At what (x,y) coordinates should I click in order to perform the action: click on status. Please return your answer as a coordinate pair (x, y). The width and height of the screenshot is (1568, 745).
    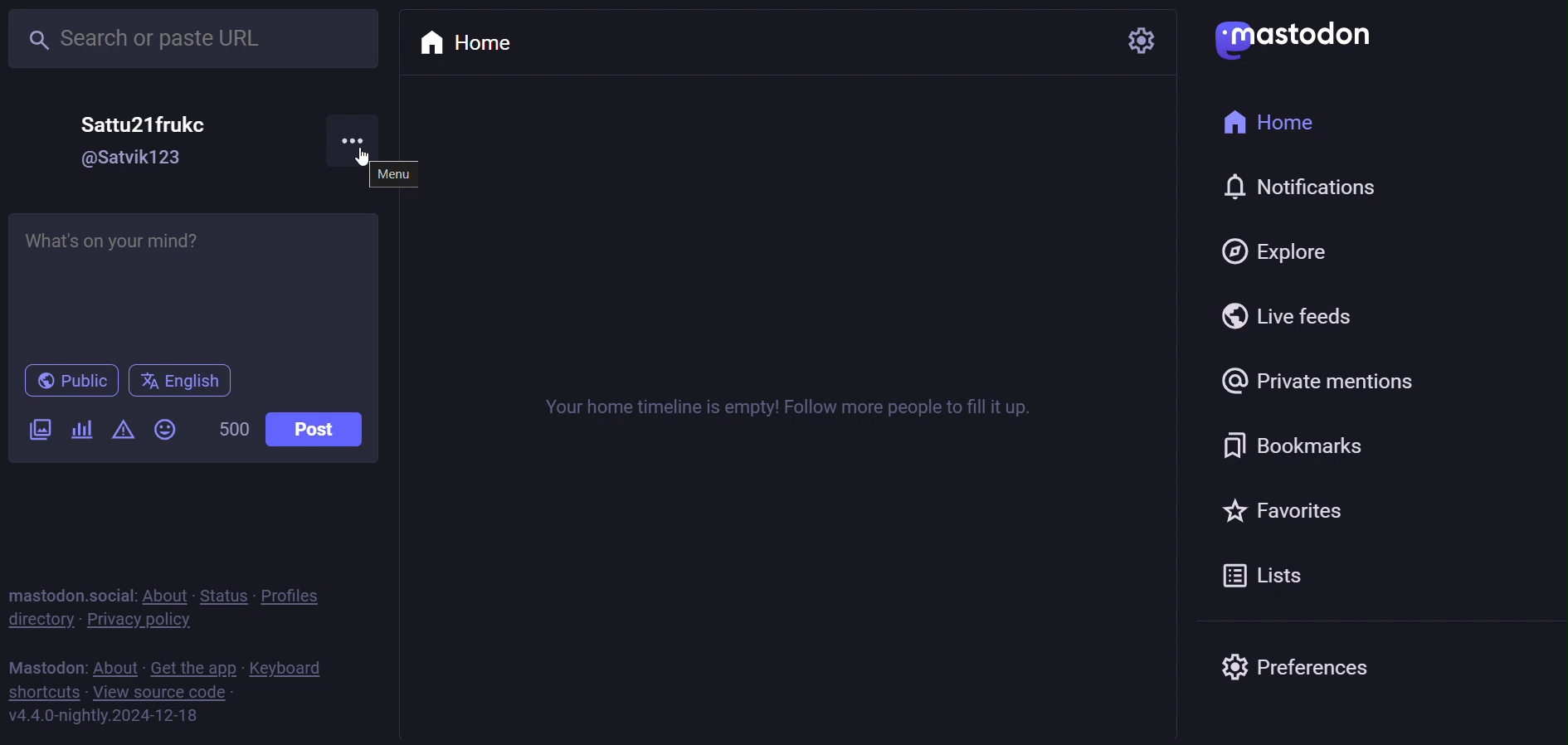
    Looking at the image, I should click on (227, 587).